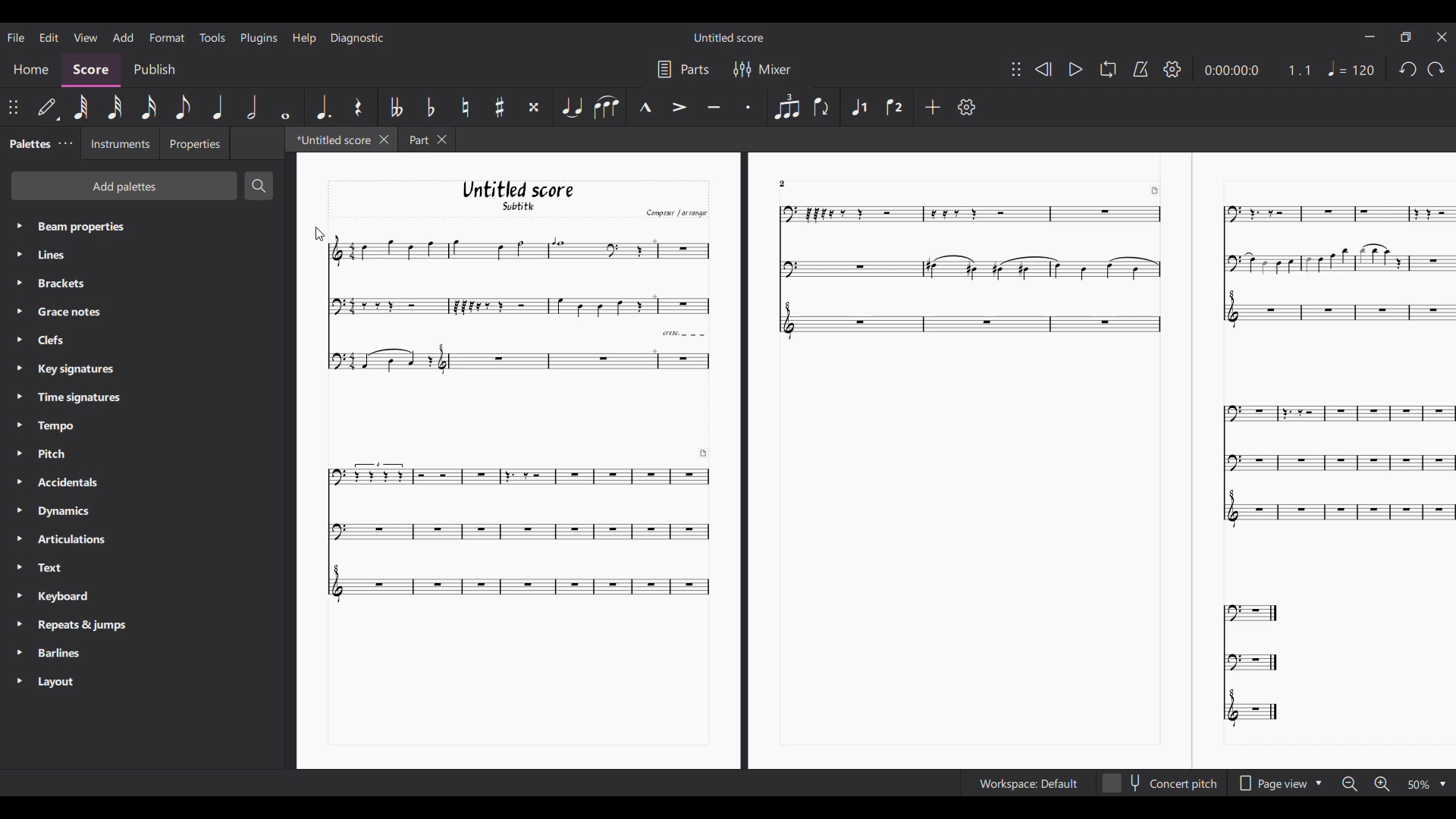  Describe the element at coordinates (61, 682) in the screenshot. I see `Layout` at that location.